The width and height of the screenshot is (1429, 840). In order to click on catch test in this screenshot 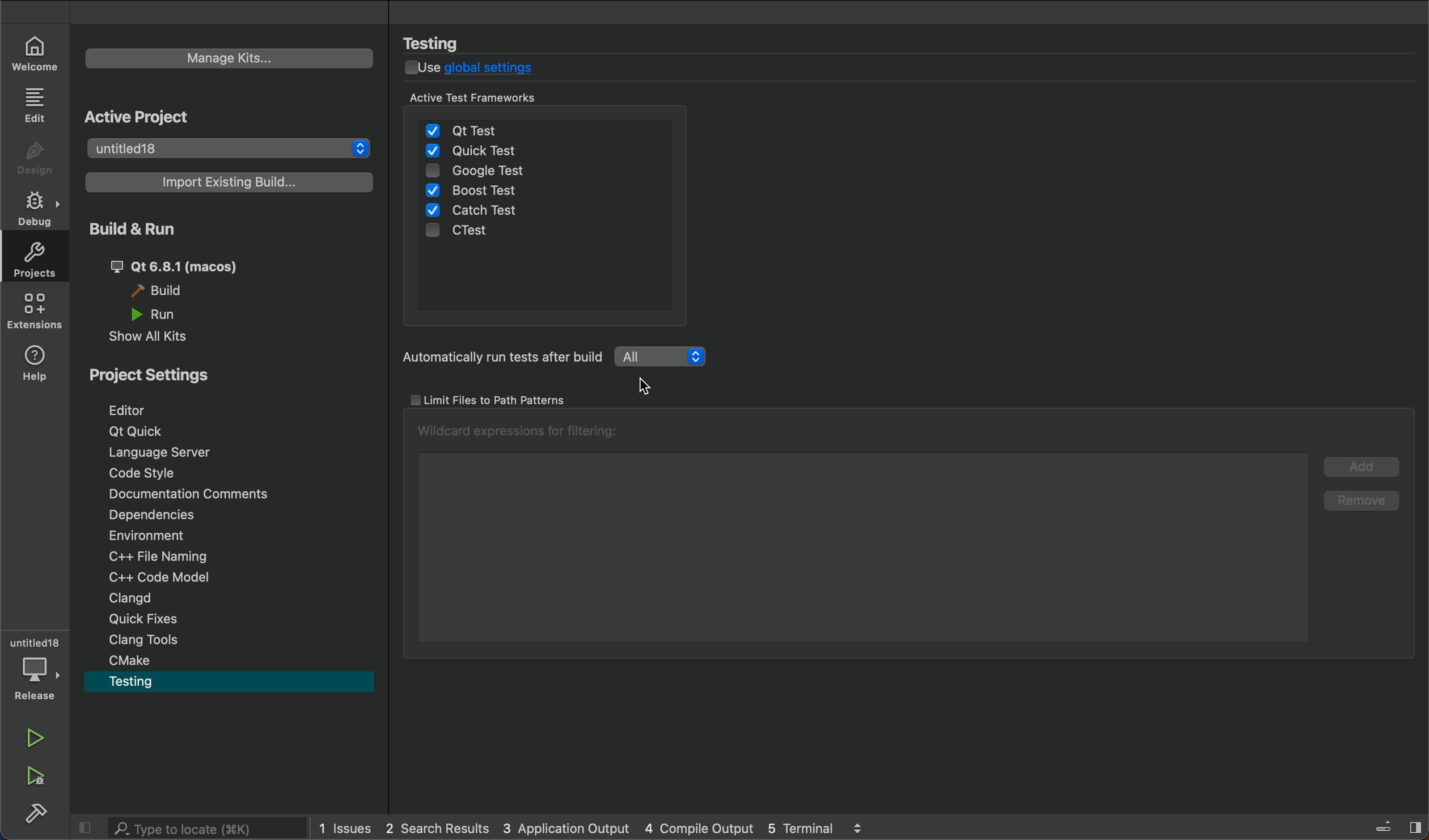, I will do `click(473, 210)`.